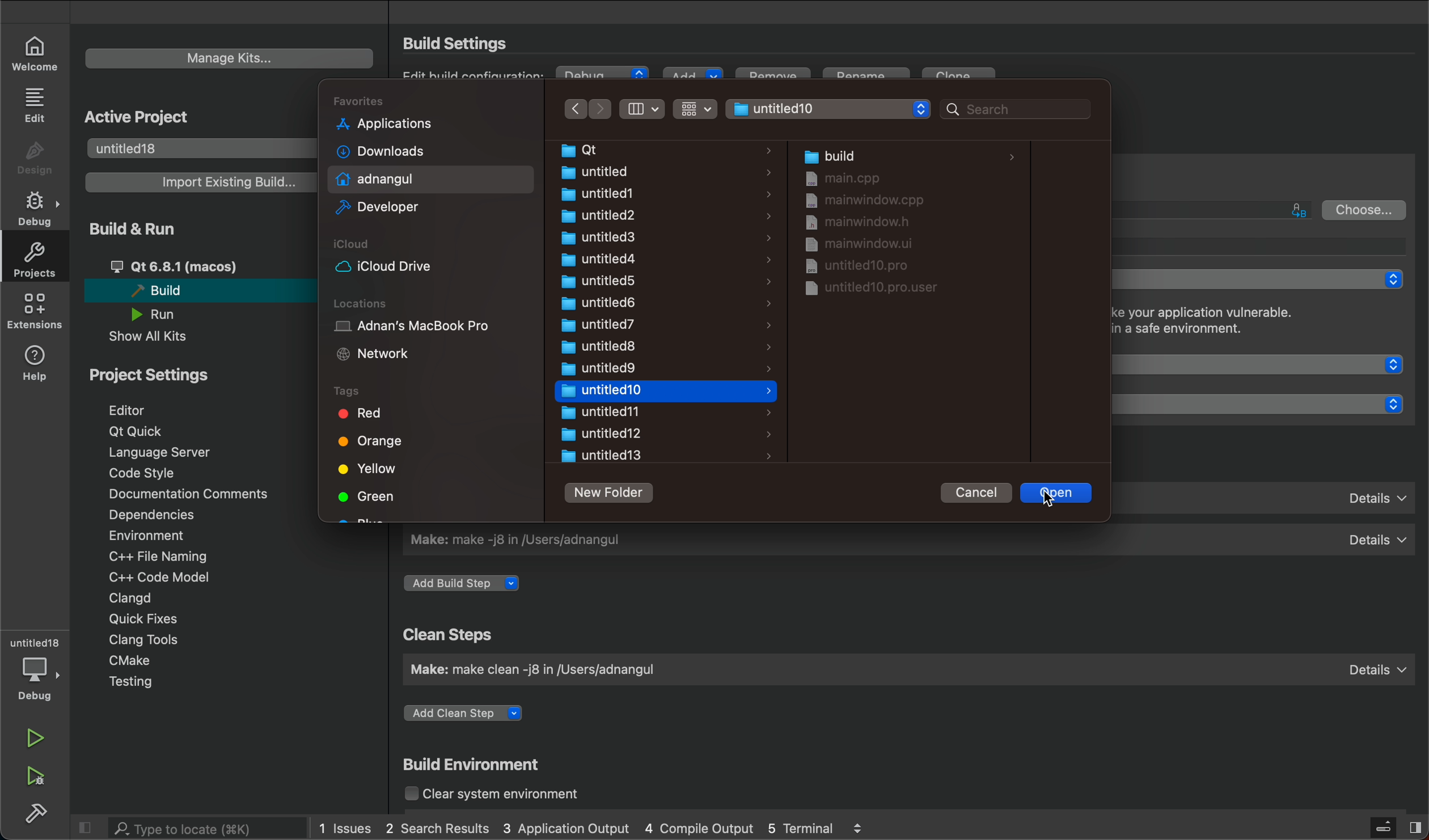  I want to click on mainwindow.h, so click(856, 222).